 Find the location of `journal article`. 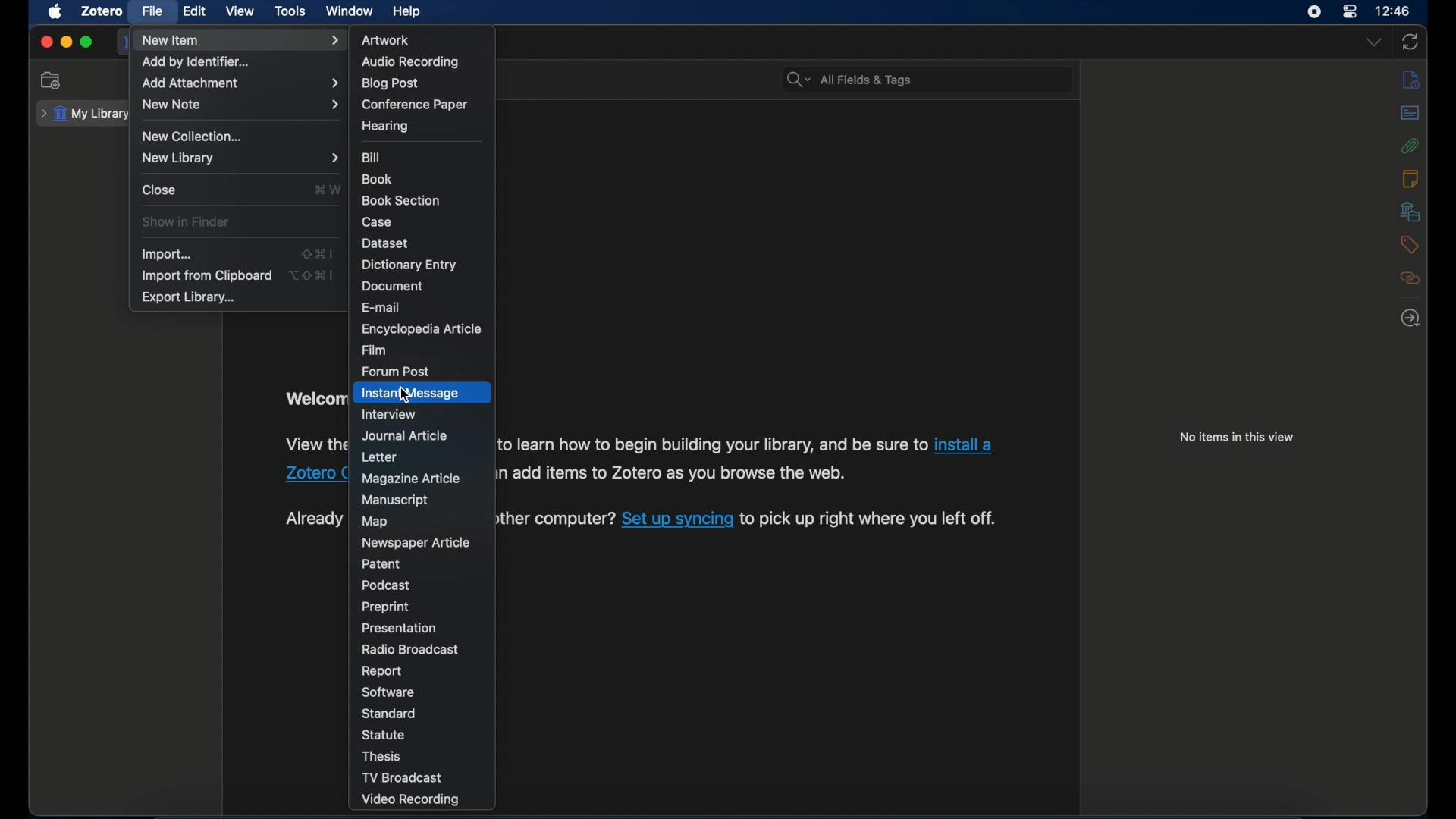

journal article is located at coordinates (403, 437).